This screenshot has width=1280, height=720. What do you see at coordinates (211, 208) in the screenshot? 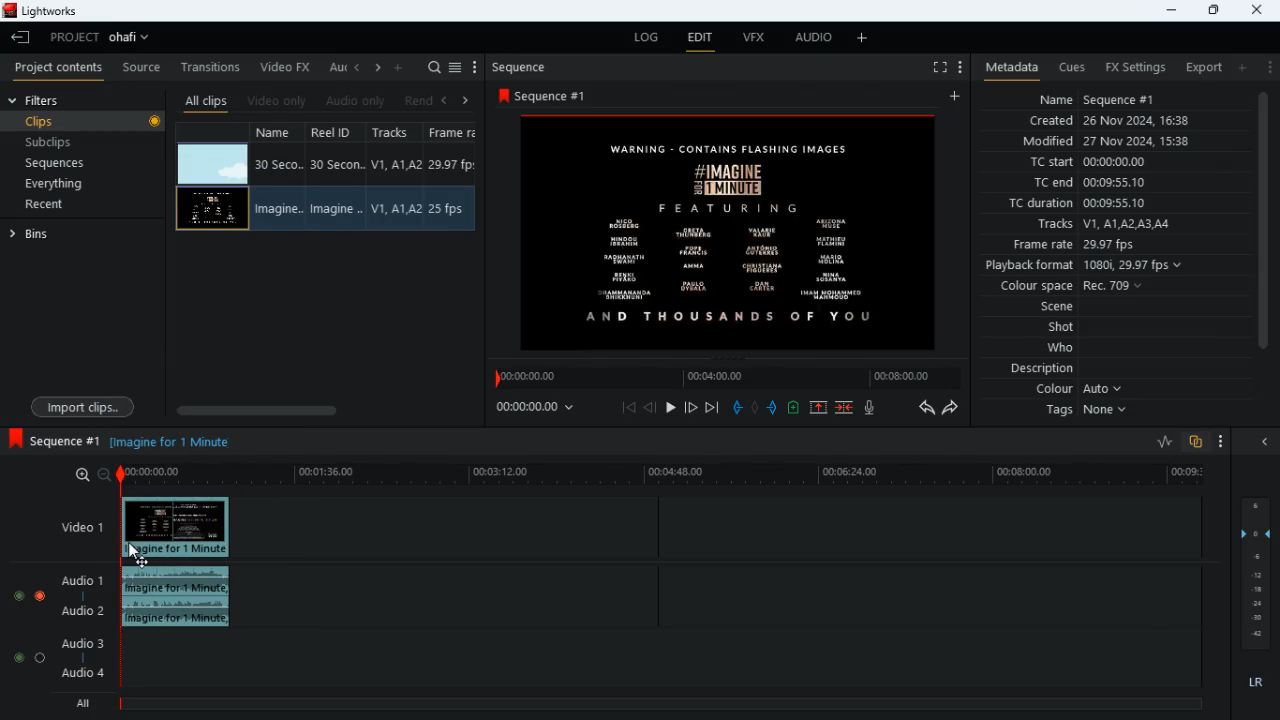
I see `videos` at bounding box center [211, 208].